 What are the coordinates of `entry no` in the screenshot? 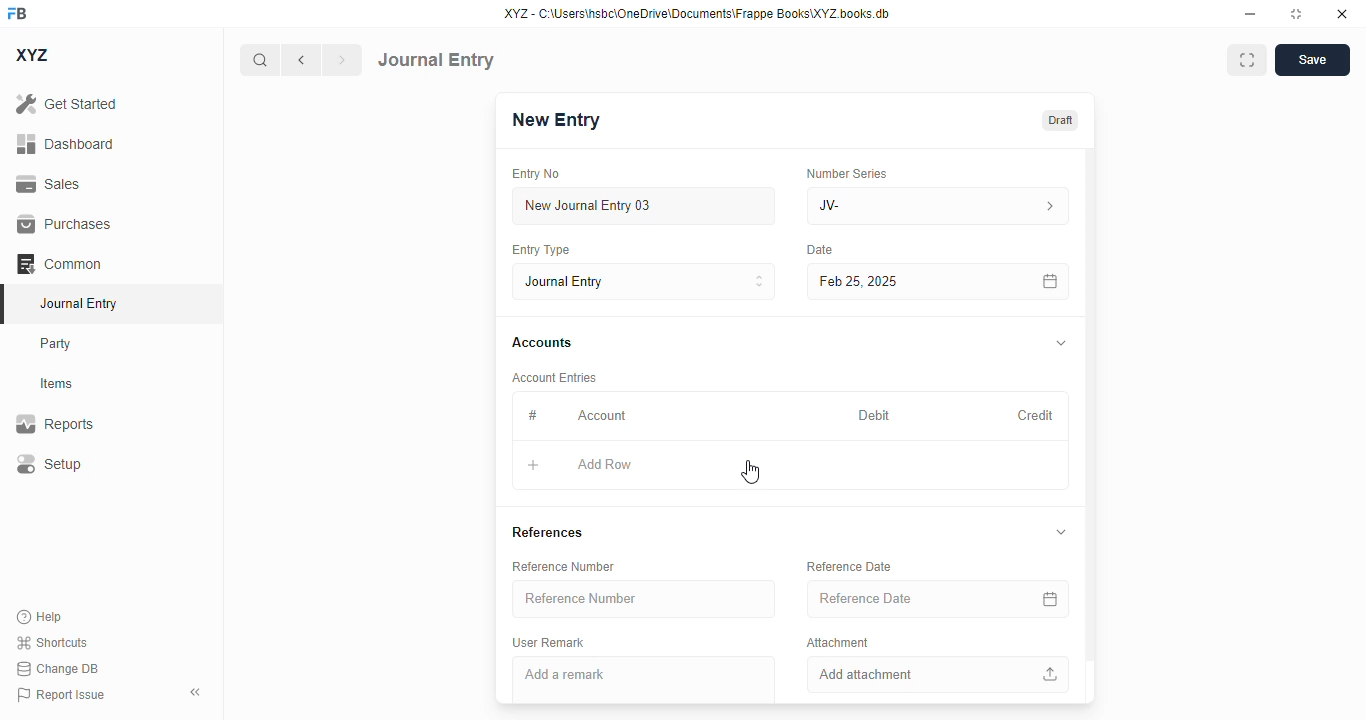 It's located at (536, 174).